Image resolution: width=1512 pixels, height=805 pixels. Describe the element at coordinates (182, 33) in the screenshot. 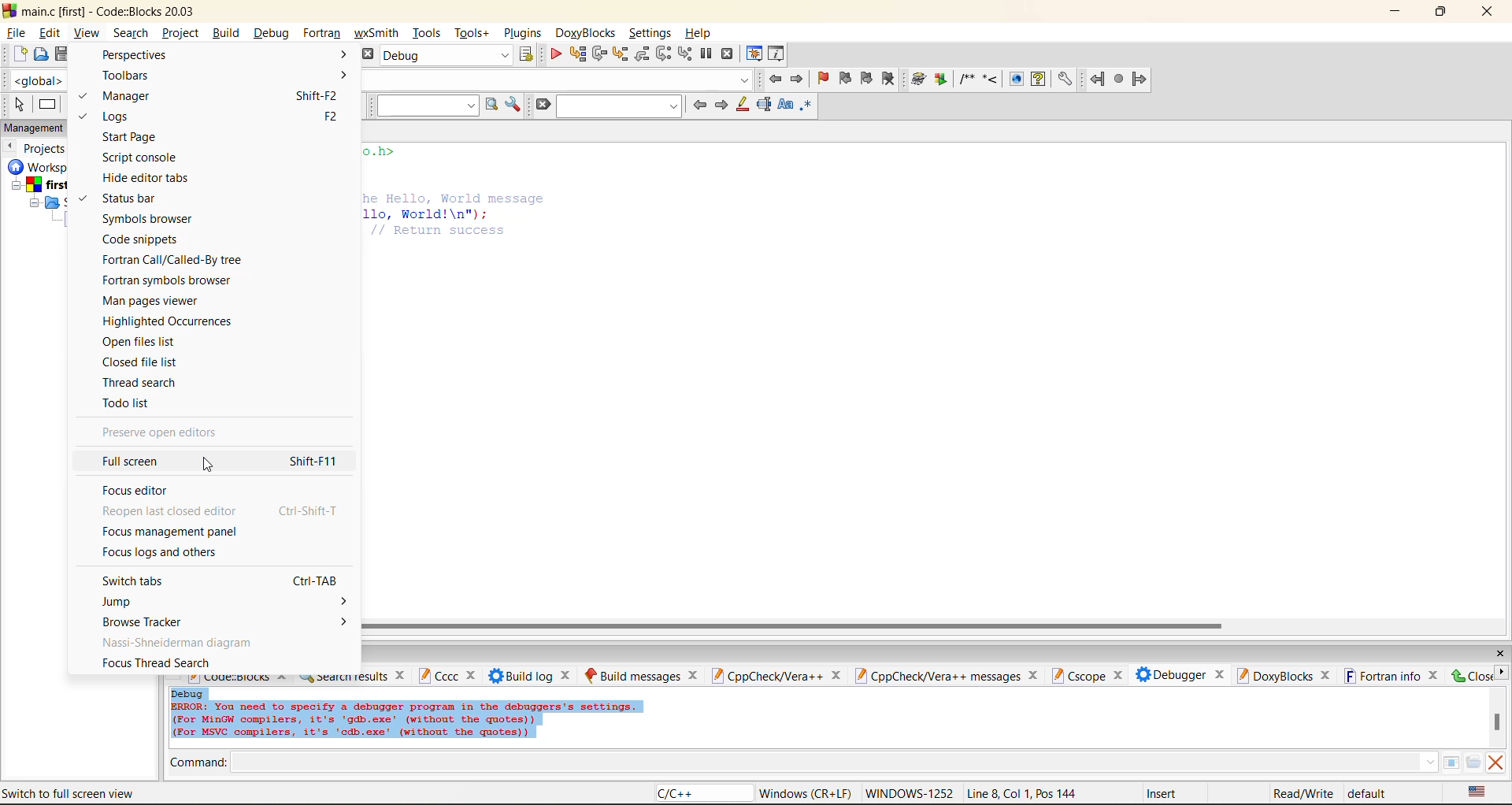

I see `project` at that location.